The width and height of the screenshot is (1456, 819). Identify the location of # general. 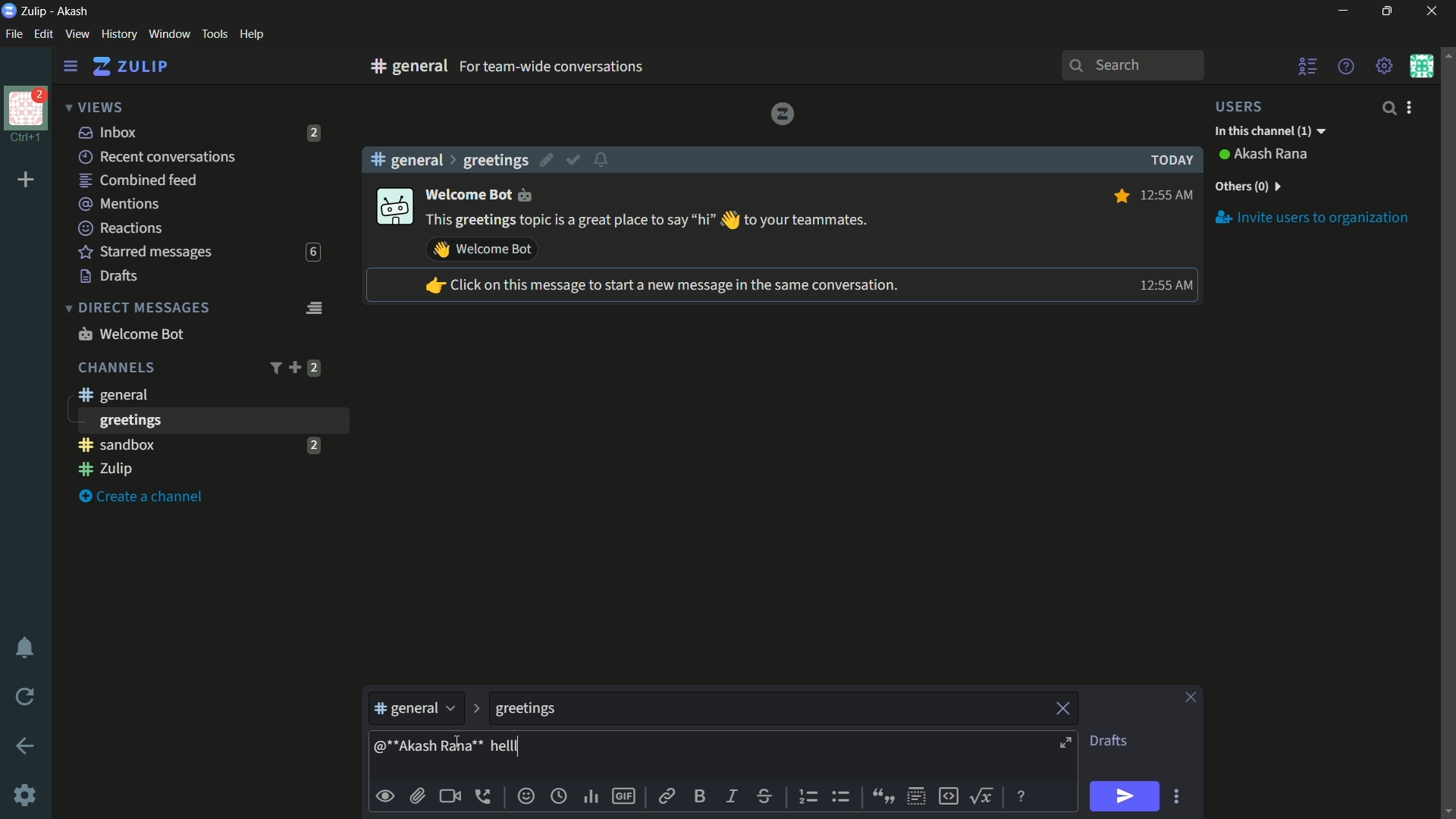
(406, 159).